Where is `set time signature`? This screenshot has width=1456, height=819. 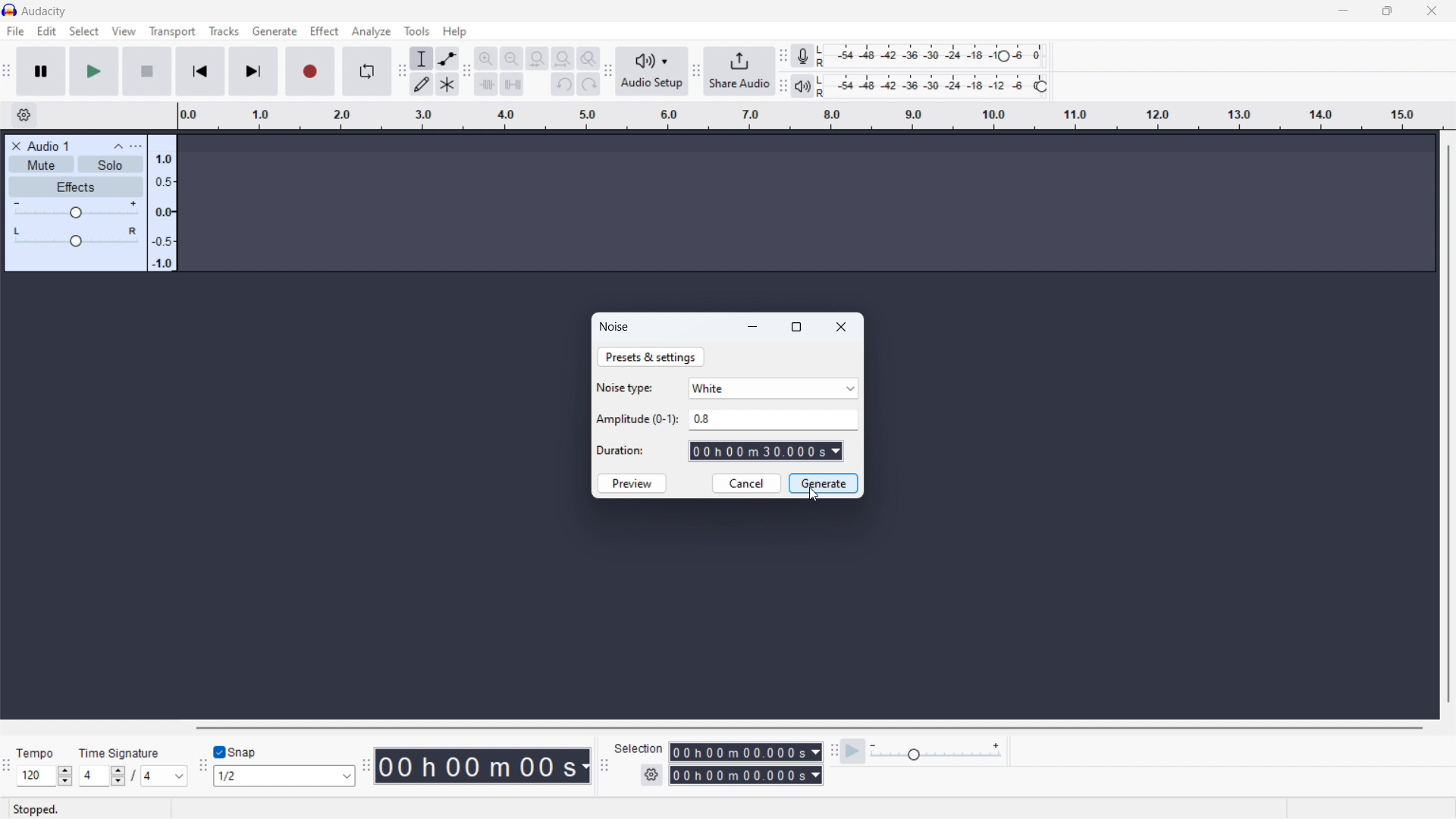 set time signature is located at coordinates (133, 776).